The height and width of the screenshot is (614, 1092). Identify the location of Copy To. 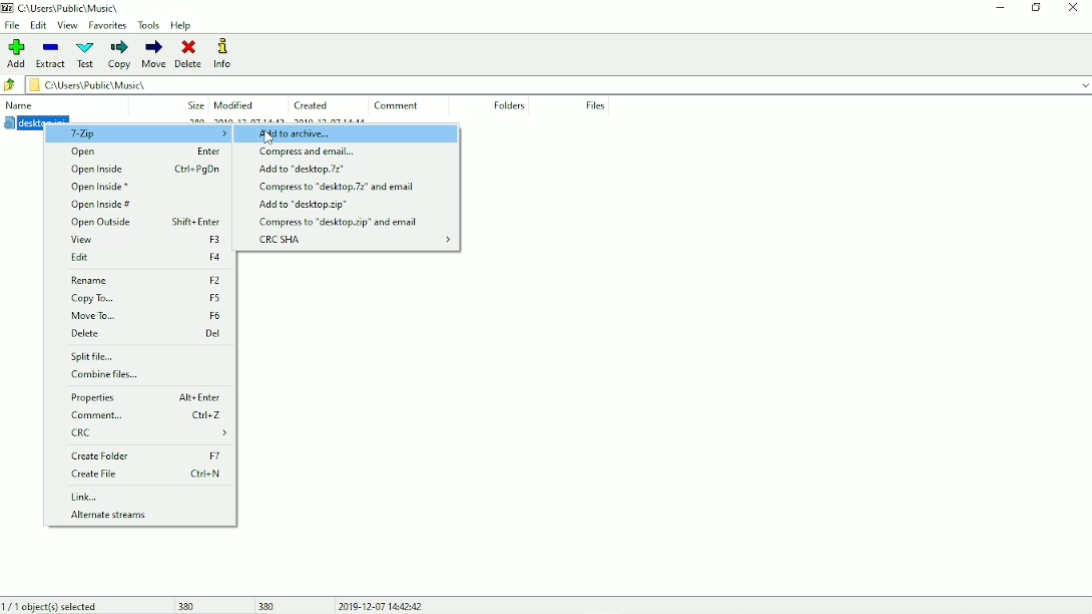
(145, 299).